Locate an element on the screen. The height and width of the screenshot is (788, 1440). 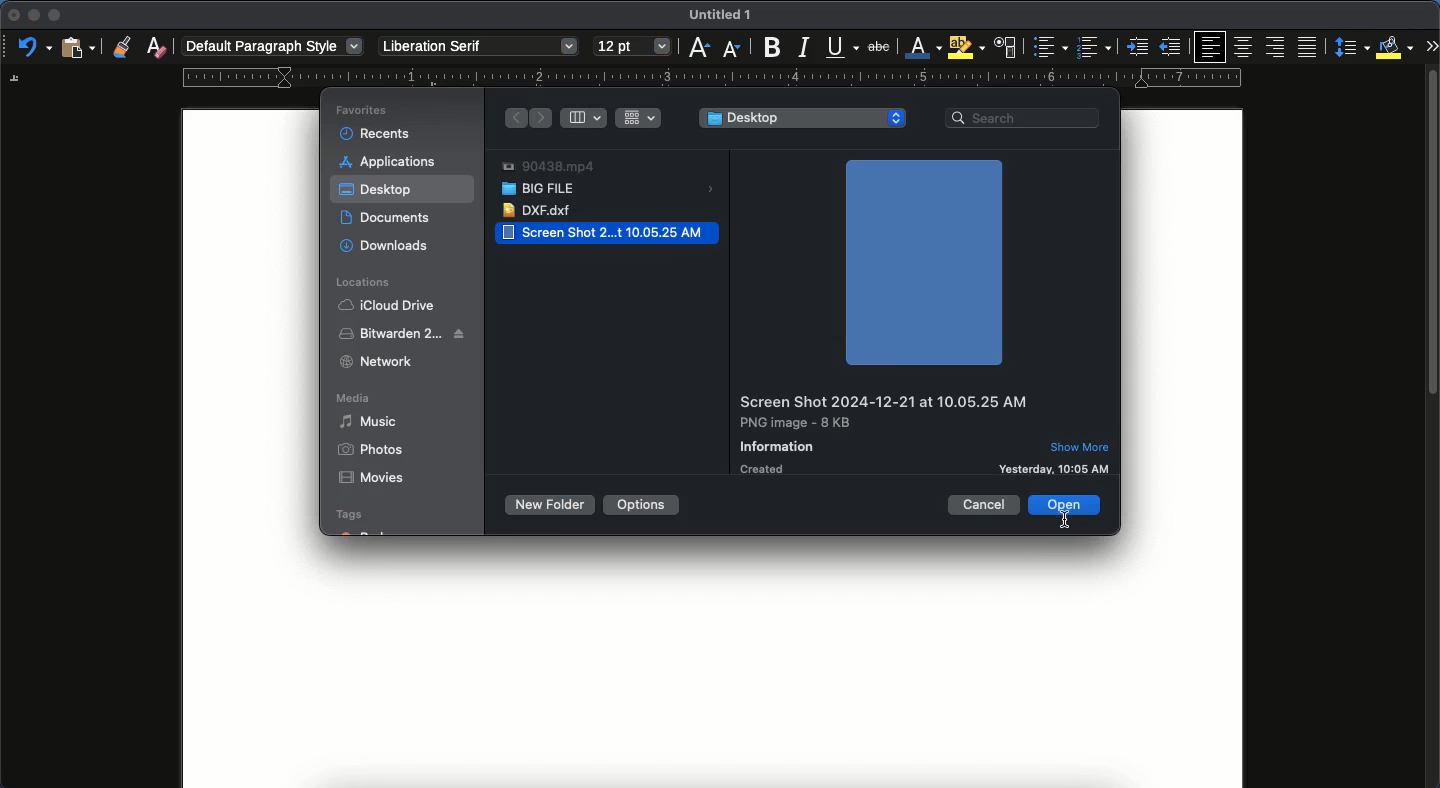
minimize is located at coordinates (33, 15).